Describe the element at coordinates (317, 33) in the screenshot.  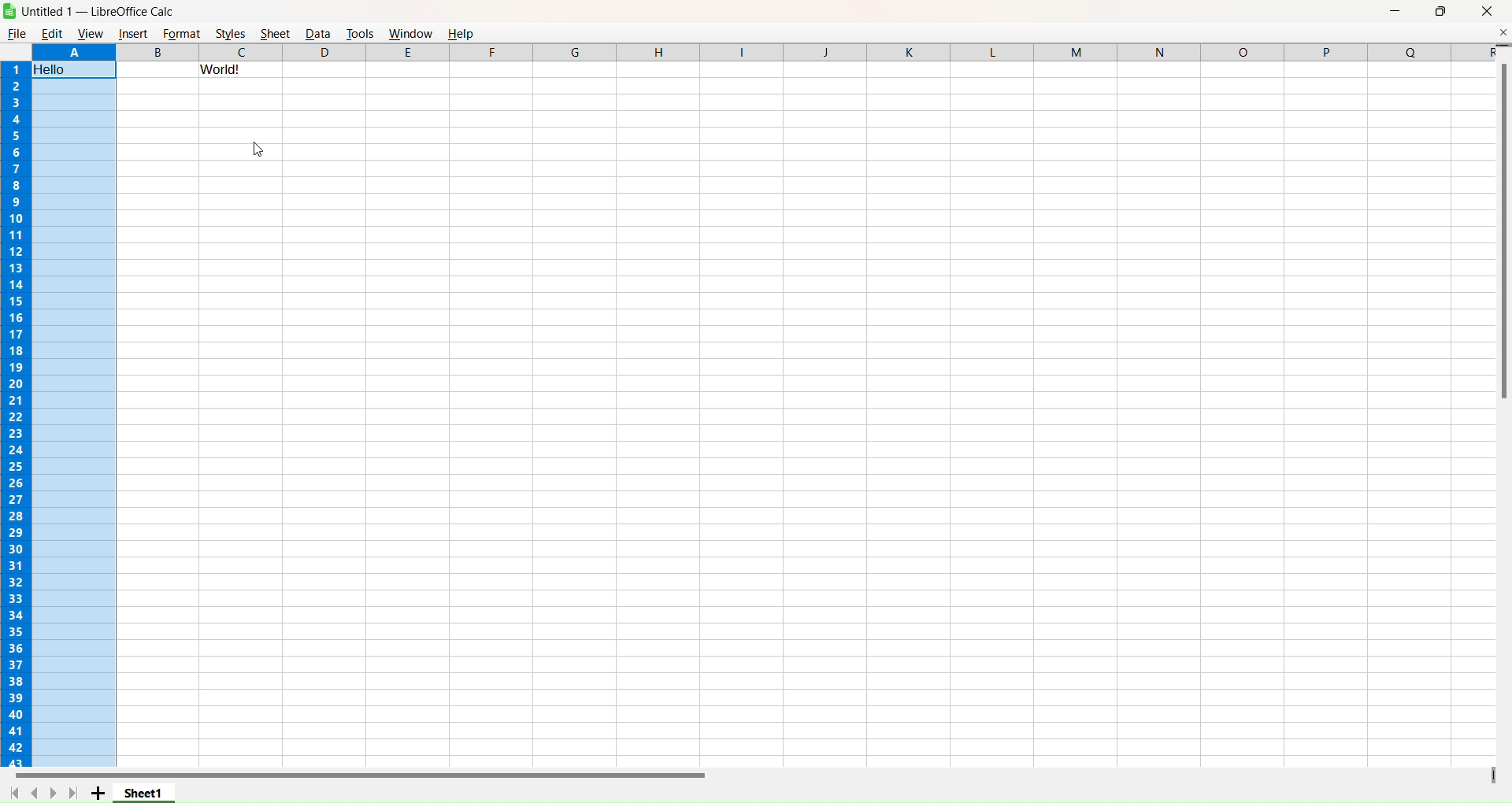
I see `Data` at that location.